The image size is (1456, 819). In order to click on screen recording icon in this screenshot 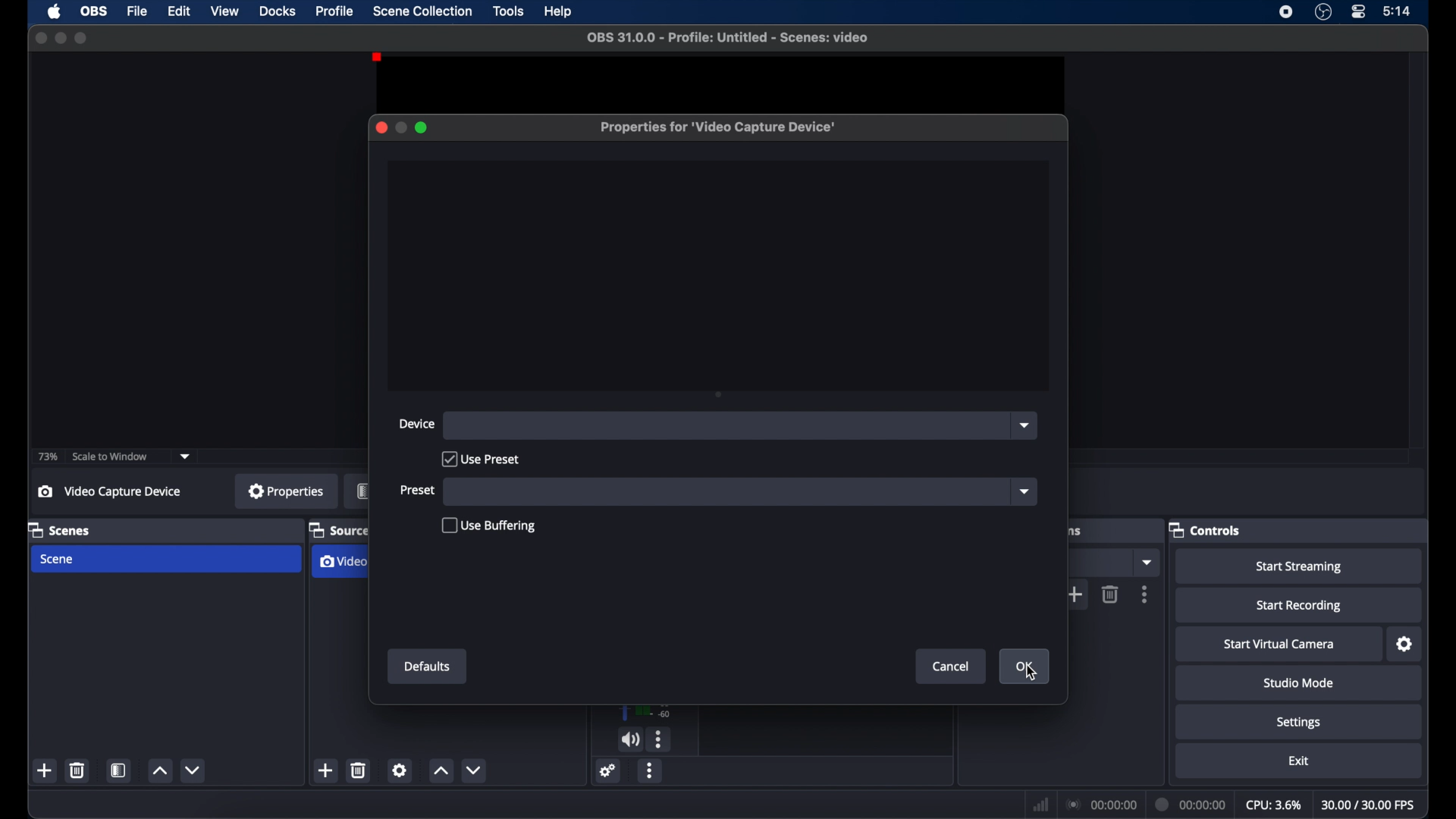, I will do `click(1286, 12)`.